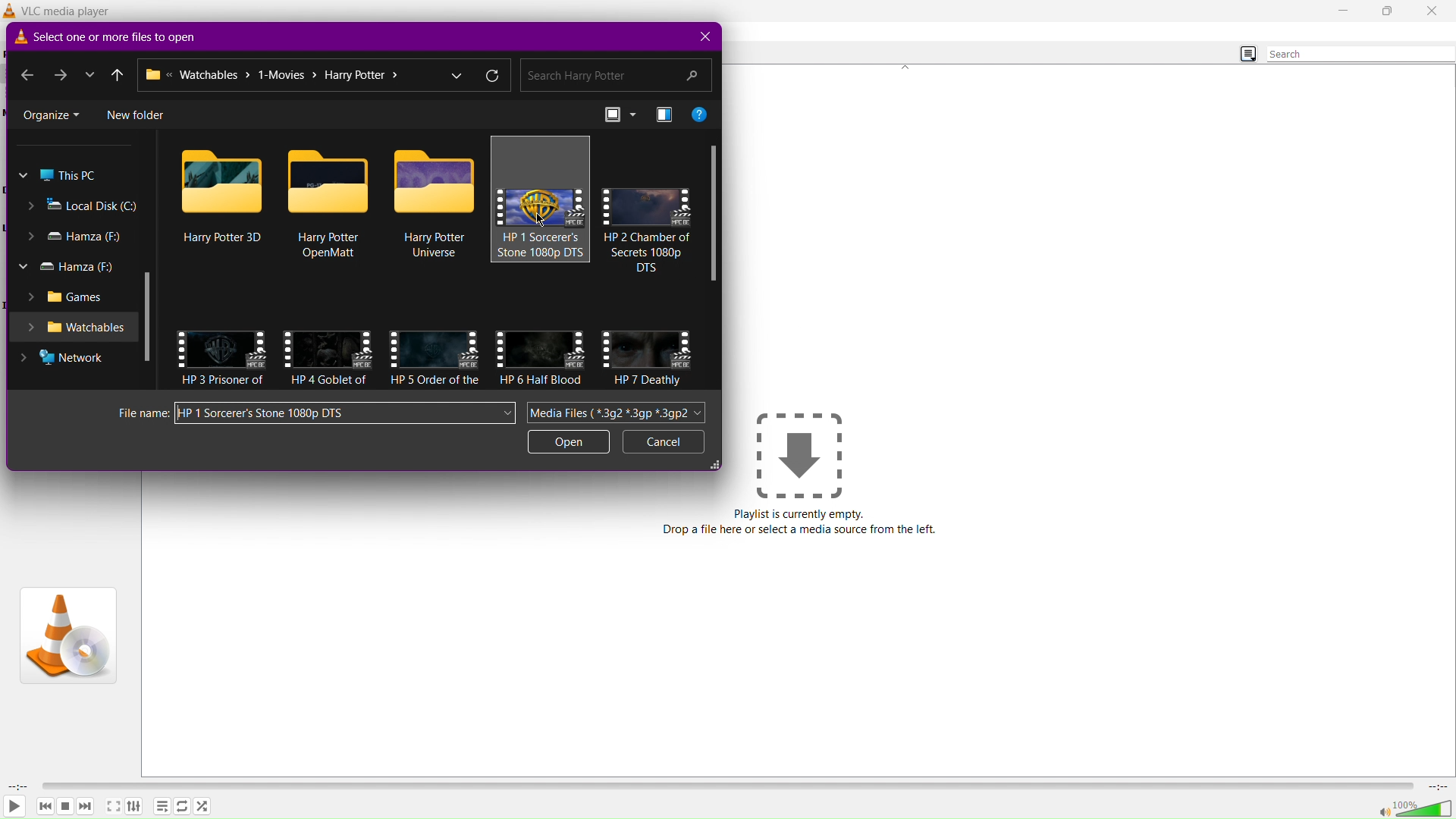  I want to click on Fullscreen, so click(112, 808).